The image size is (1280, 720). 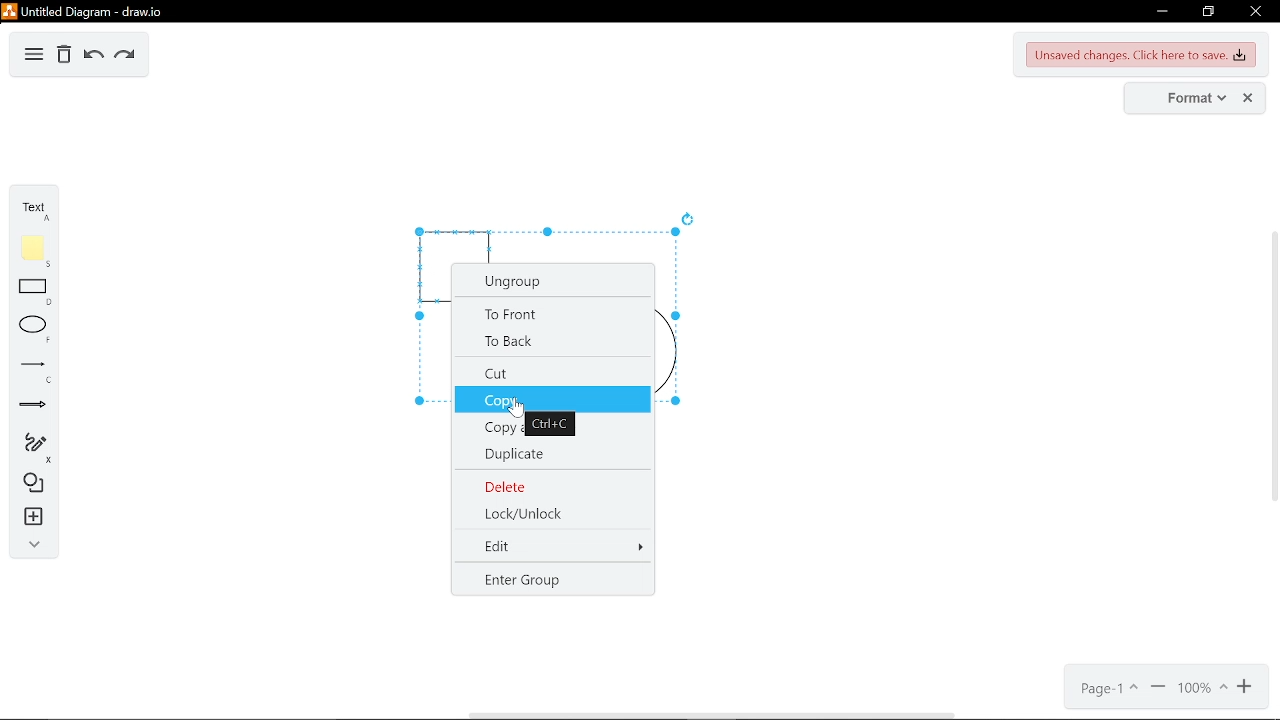 What do you see at coordinates (559, 343) in the screenshot?
I see `to back` at bounding box center [559, 343].